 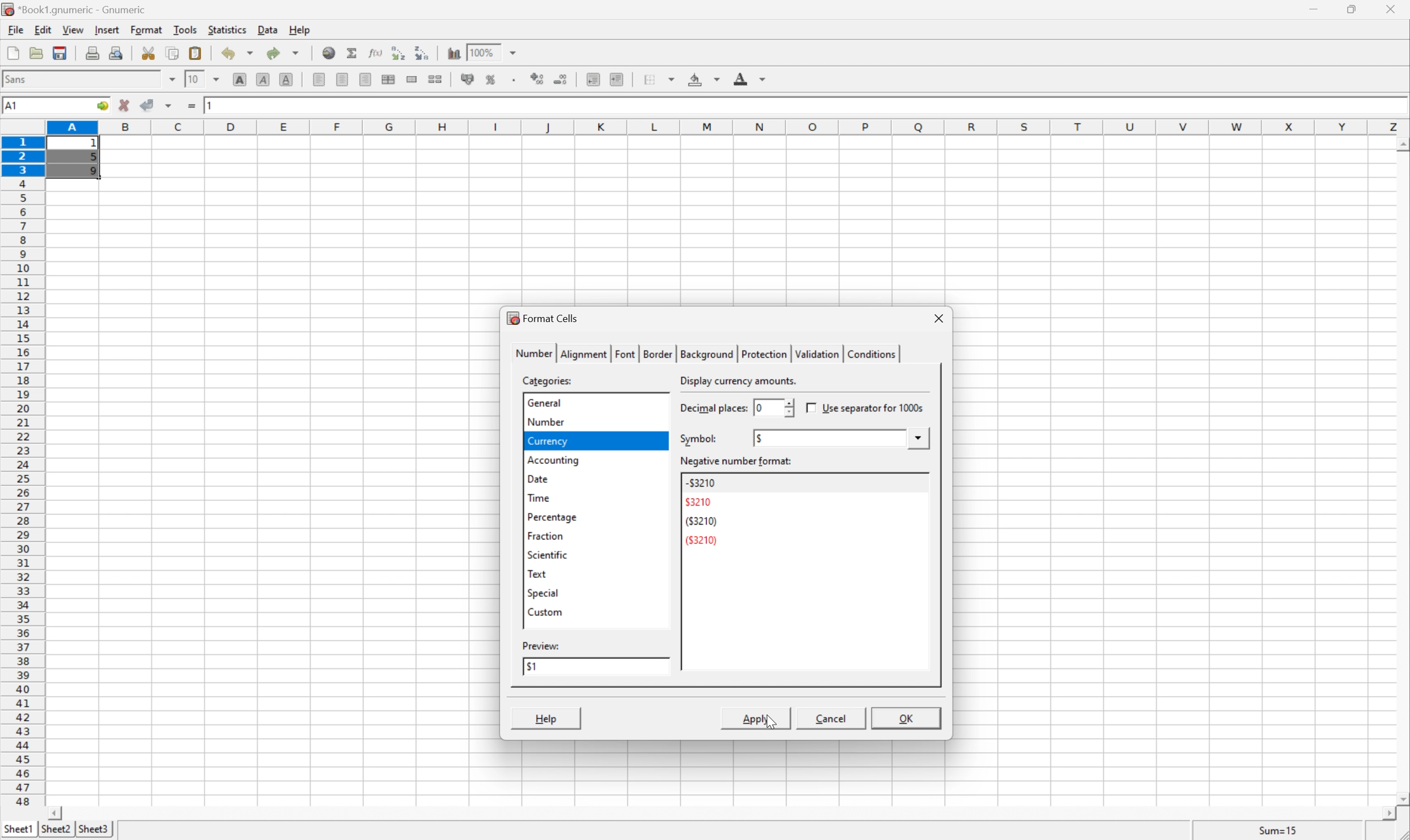 What do you see at coordinates (537, 478) in the screenshot?
I see `date` at bounding box center [537, 478].